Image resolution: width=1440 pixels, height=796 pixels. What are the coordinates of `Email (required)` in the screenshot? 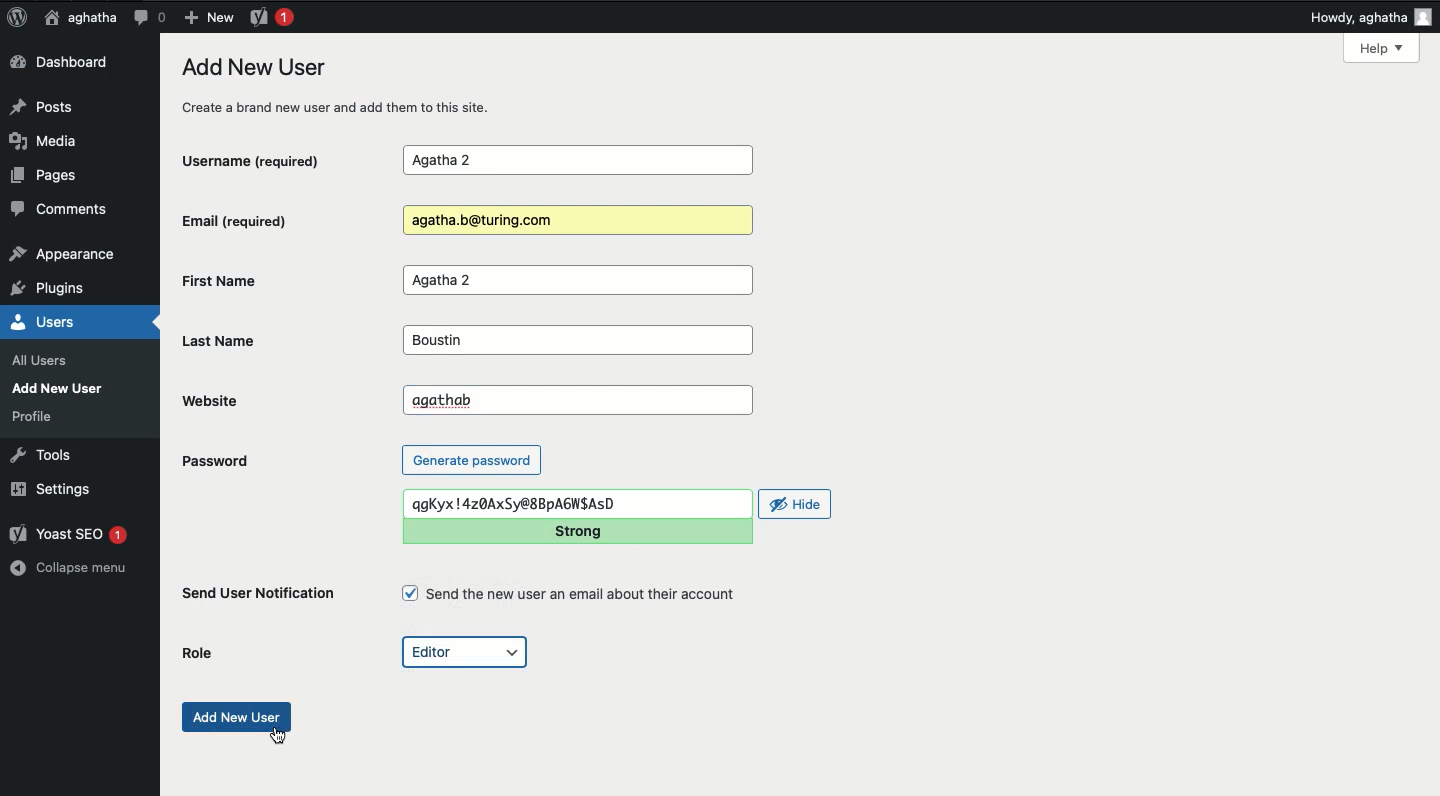 It's located at (269, 220).